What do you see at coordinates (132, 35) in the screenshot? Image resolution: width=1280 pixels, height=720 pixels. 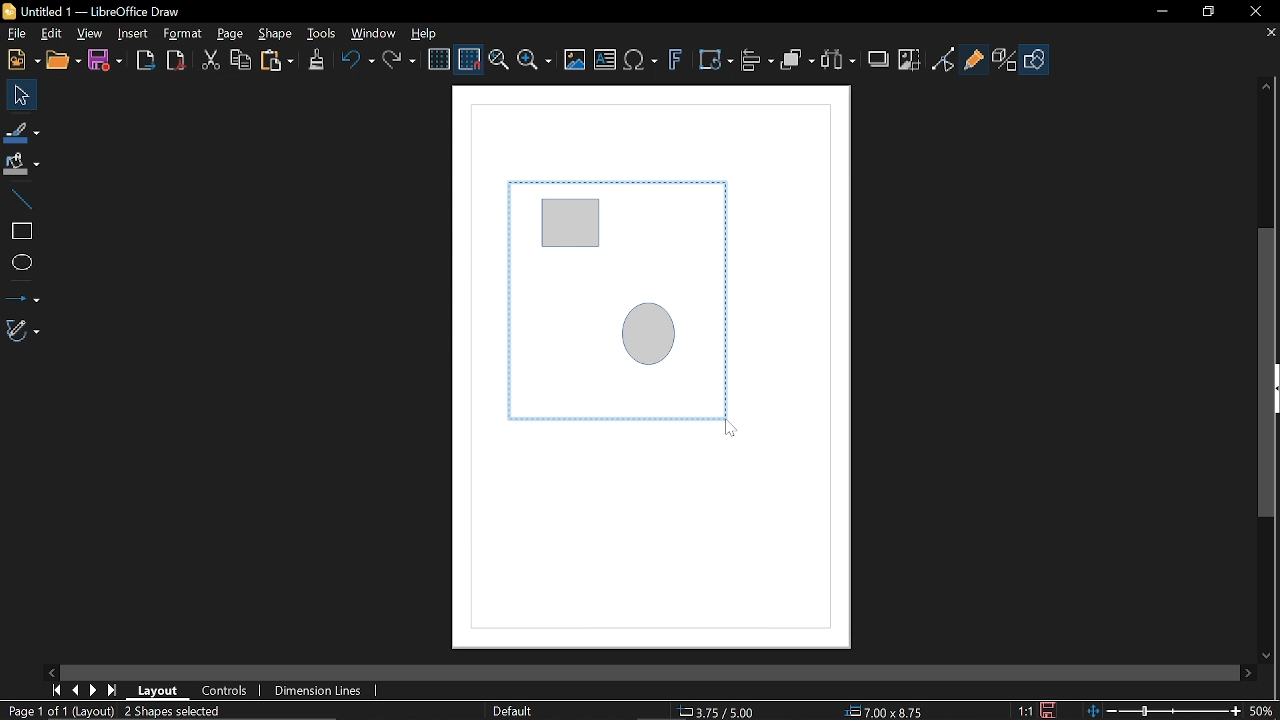 I see `Insert` at bounding box center [132, 35].